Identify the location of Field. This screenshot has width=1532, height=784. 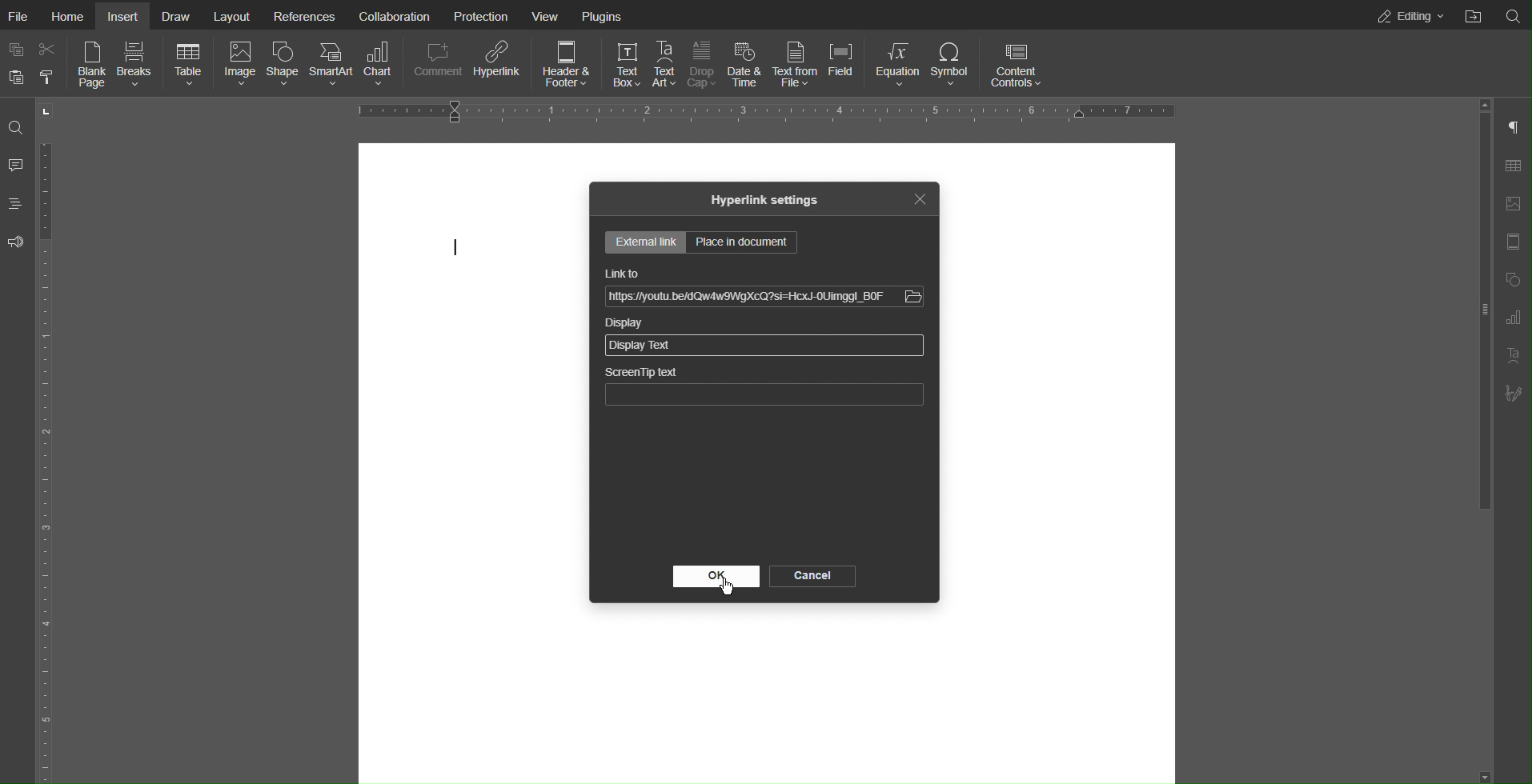
(842, 65).